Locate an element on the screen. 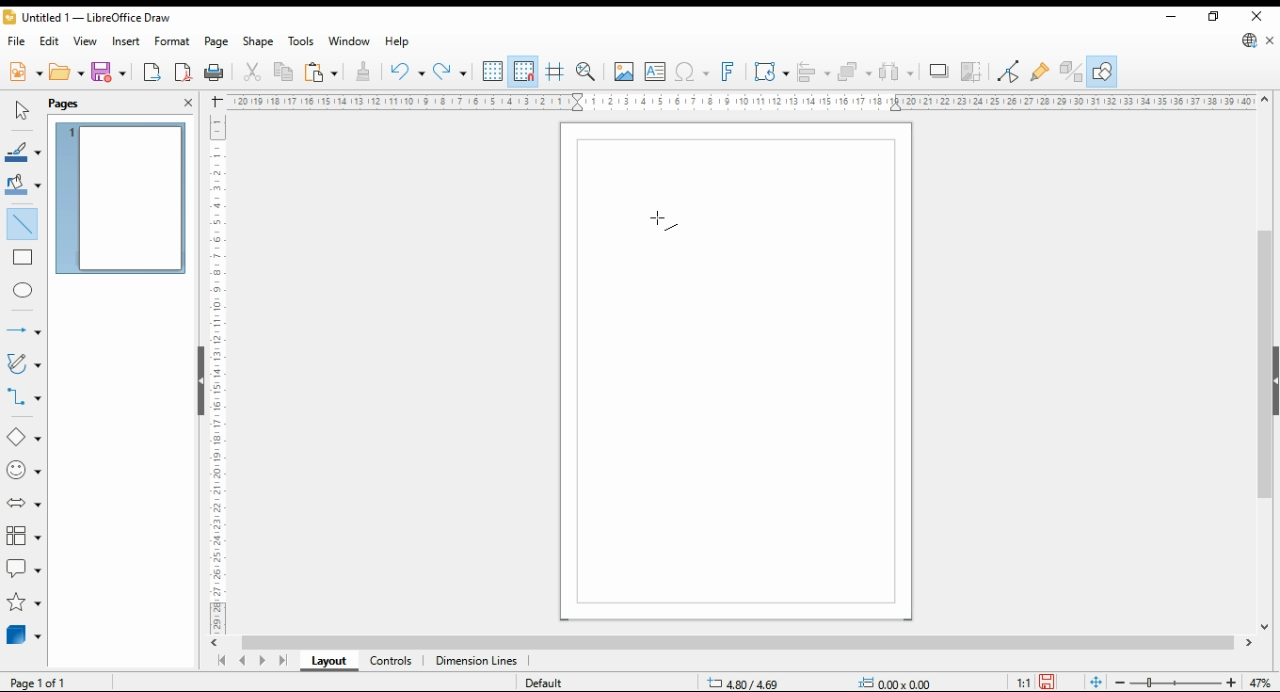  view is located at coordinates (86, 42).